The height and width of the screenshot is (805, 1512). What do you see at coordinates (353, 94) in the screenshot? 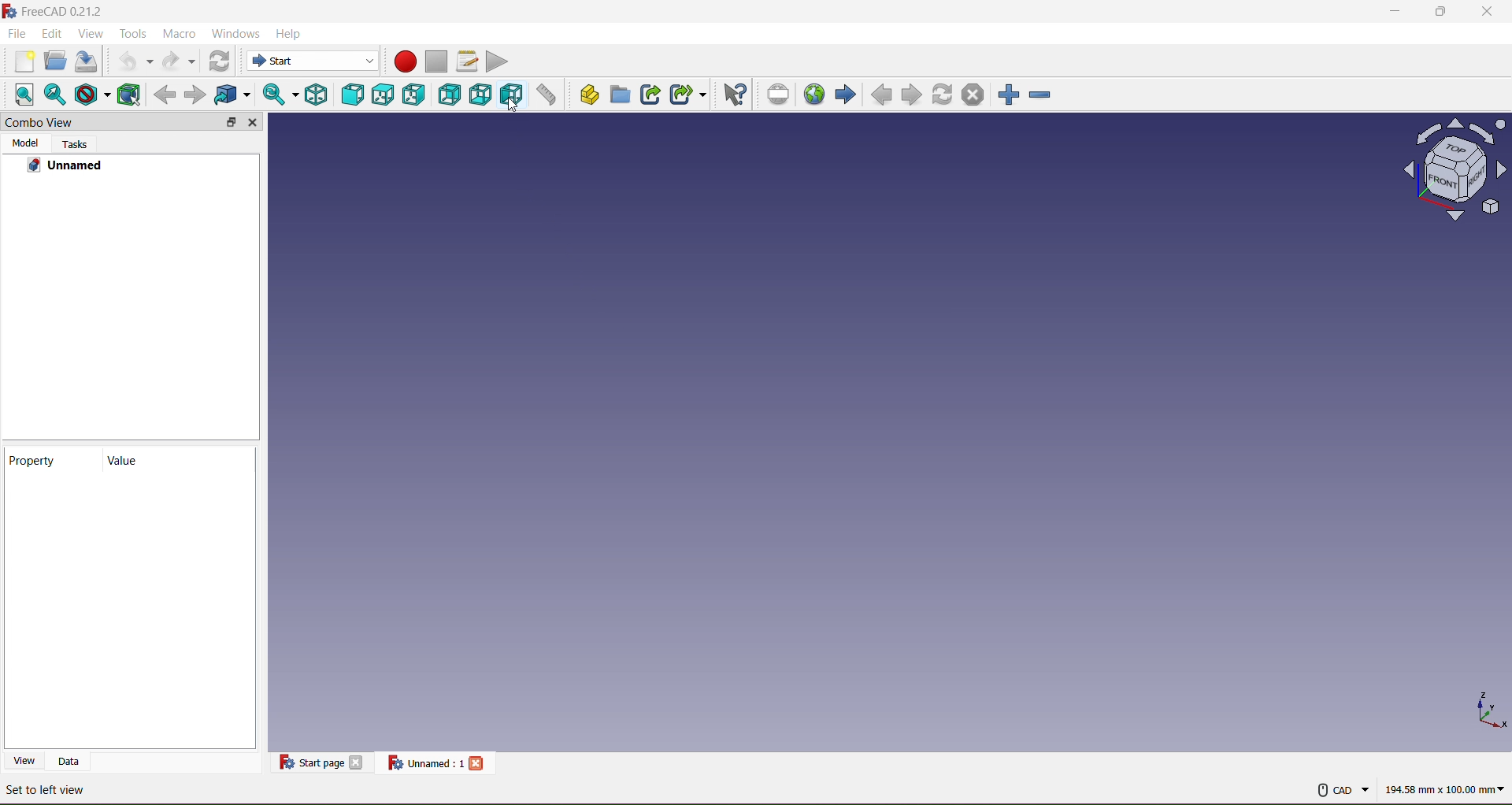
I see `Front` at bounding box center [353, 94].